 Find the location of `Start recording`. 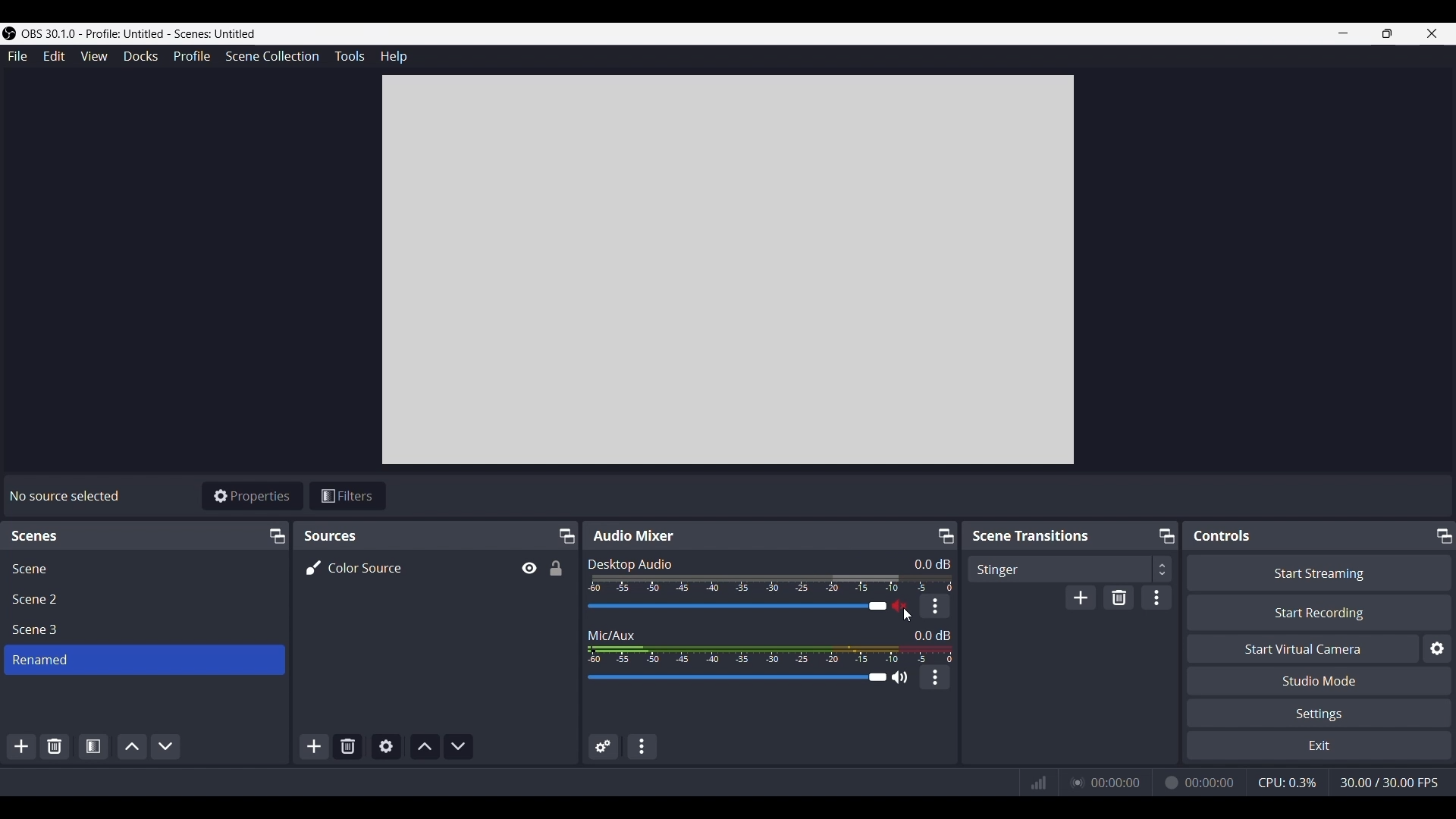

Start recording is located at coordinates (1319, 613).